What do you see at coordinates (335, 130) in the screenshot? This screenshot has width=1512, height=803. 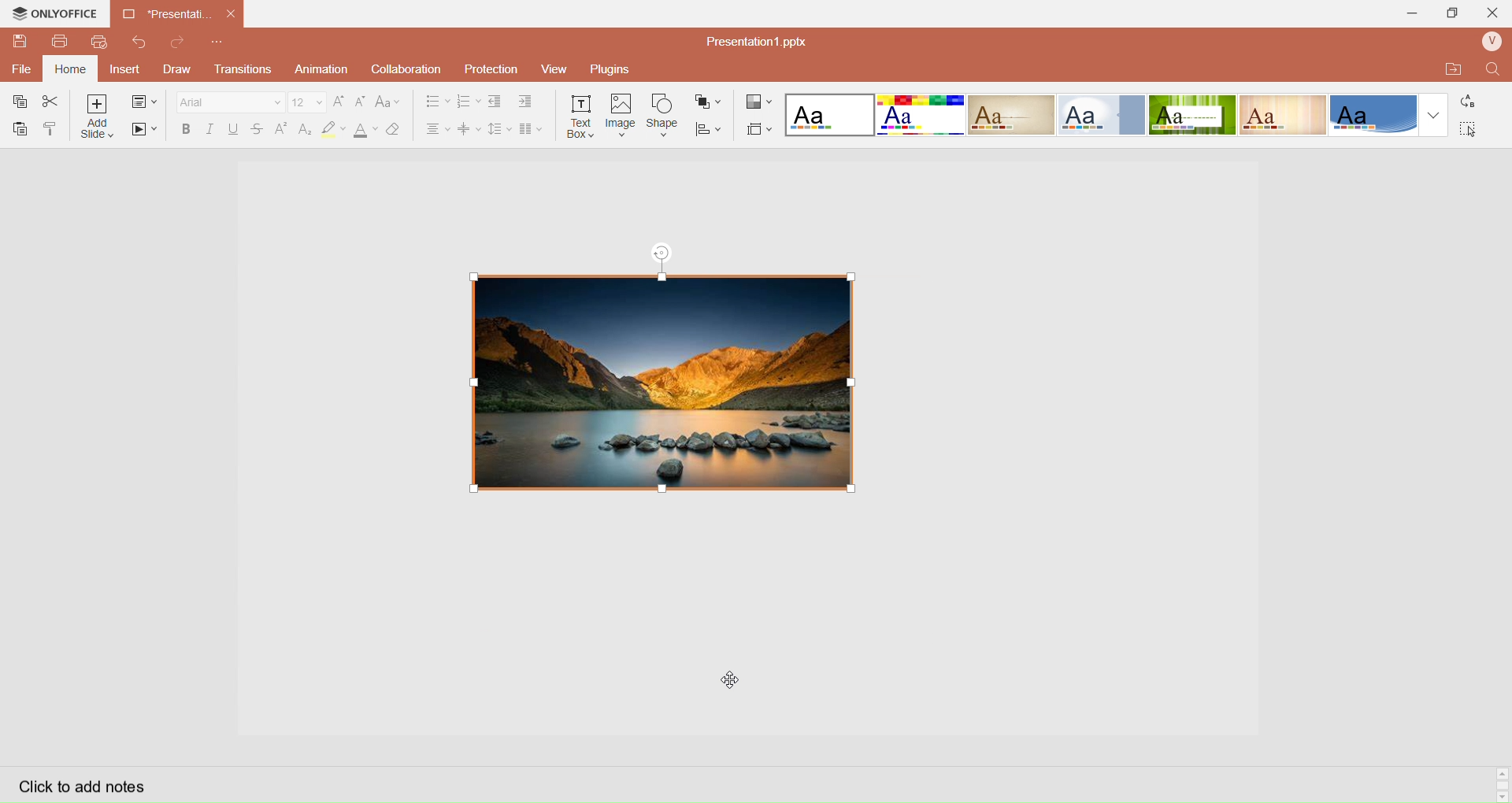 I see `Highlight Color` at bounding box center [335, 130].